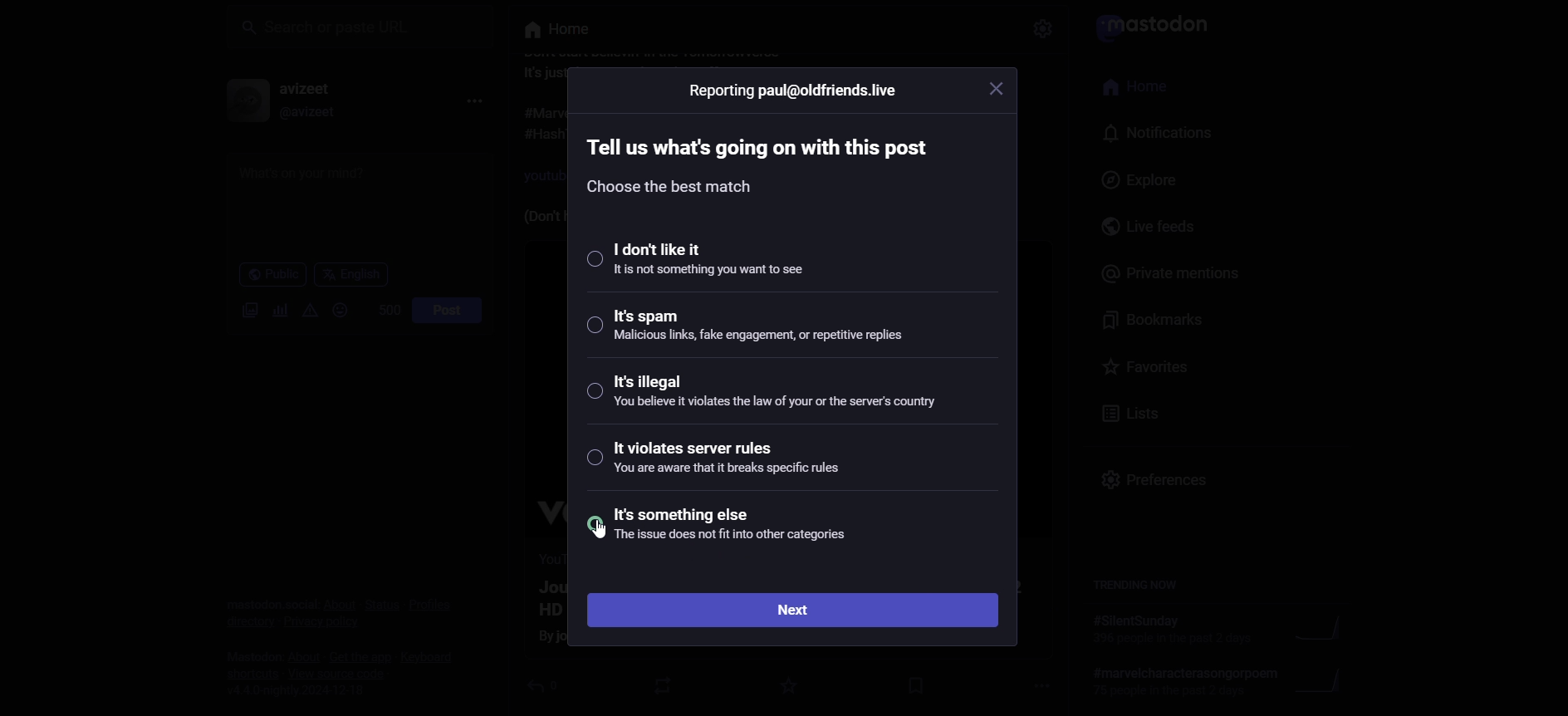 Image resolution: width=1568 pixels, height=716 pixels. What do you see at coordinates (1135, 587) in the screenshot?
I see `trending hashtags` at bounding box center [1135, 587].